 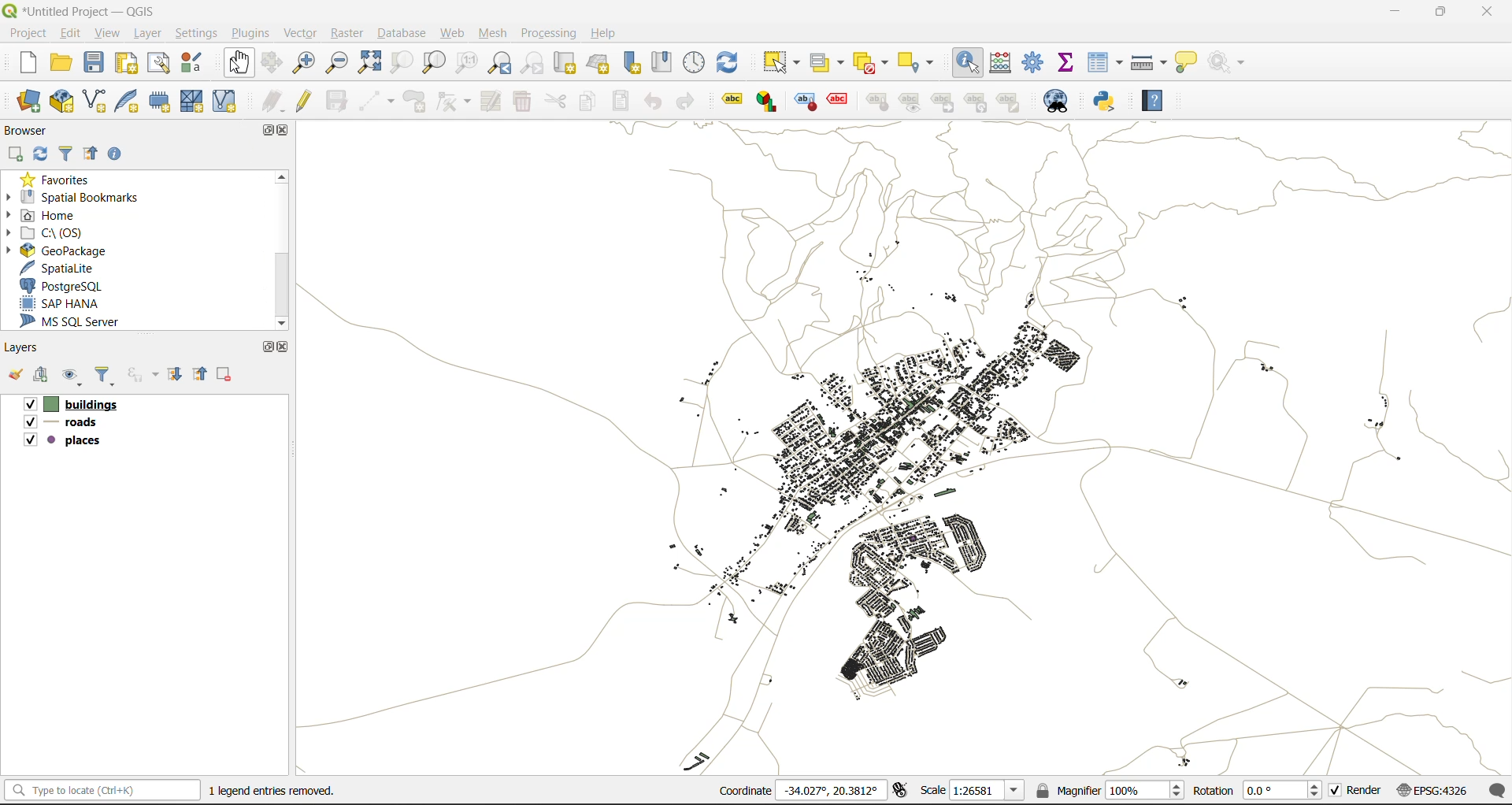 I want to click on settings, so click(x=196, y=31).